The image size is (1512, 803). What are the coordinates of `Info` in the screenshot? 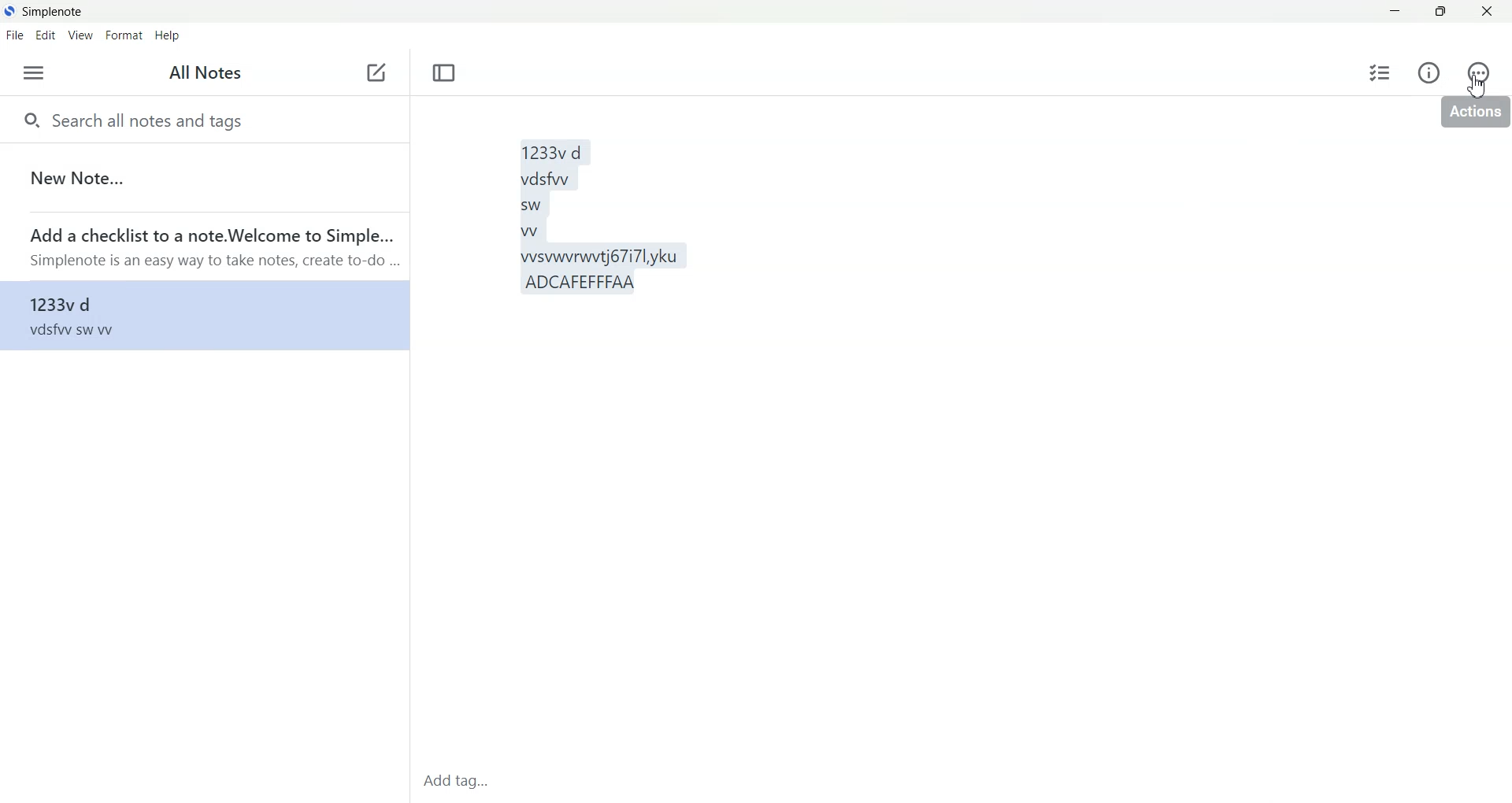 It's located at (1429, 72).